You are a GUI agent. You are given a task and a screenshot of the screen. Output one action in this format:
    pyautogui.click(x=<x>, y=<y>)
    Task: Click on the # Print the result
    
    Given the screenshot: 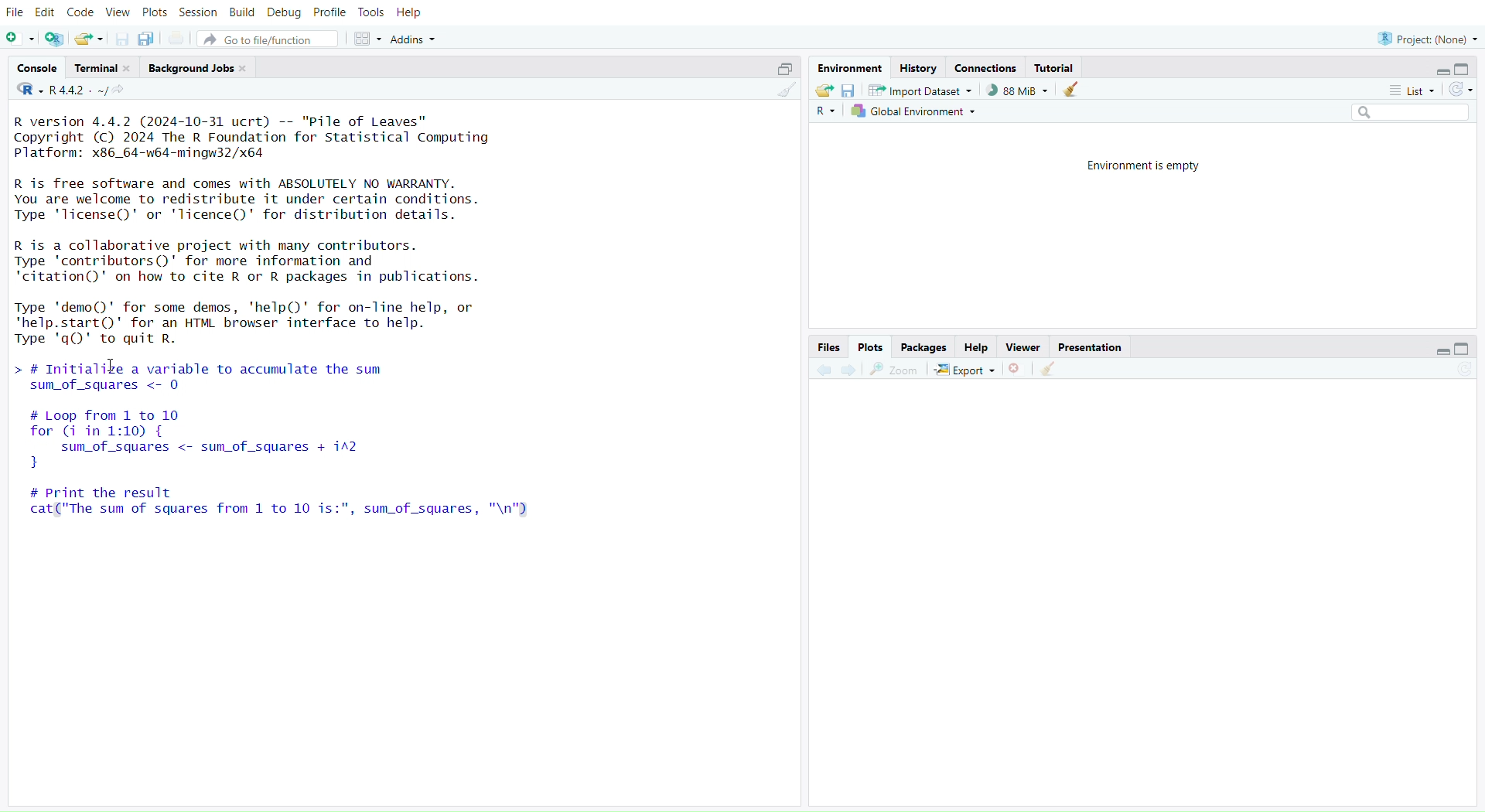 What is the action you would take?
    pyautogui.click(x=115, y=491)
    